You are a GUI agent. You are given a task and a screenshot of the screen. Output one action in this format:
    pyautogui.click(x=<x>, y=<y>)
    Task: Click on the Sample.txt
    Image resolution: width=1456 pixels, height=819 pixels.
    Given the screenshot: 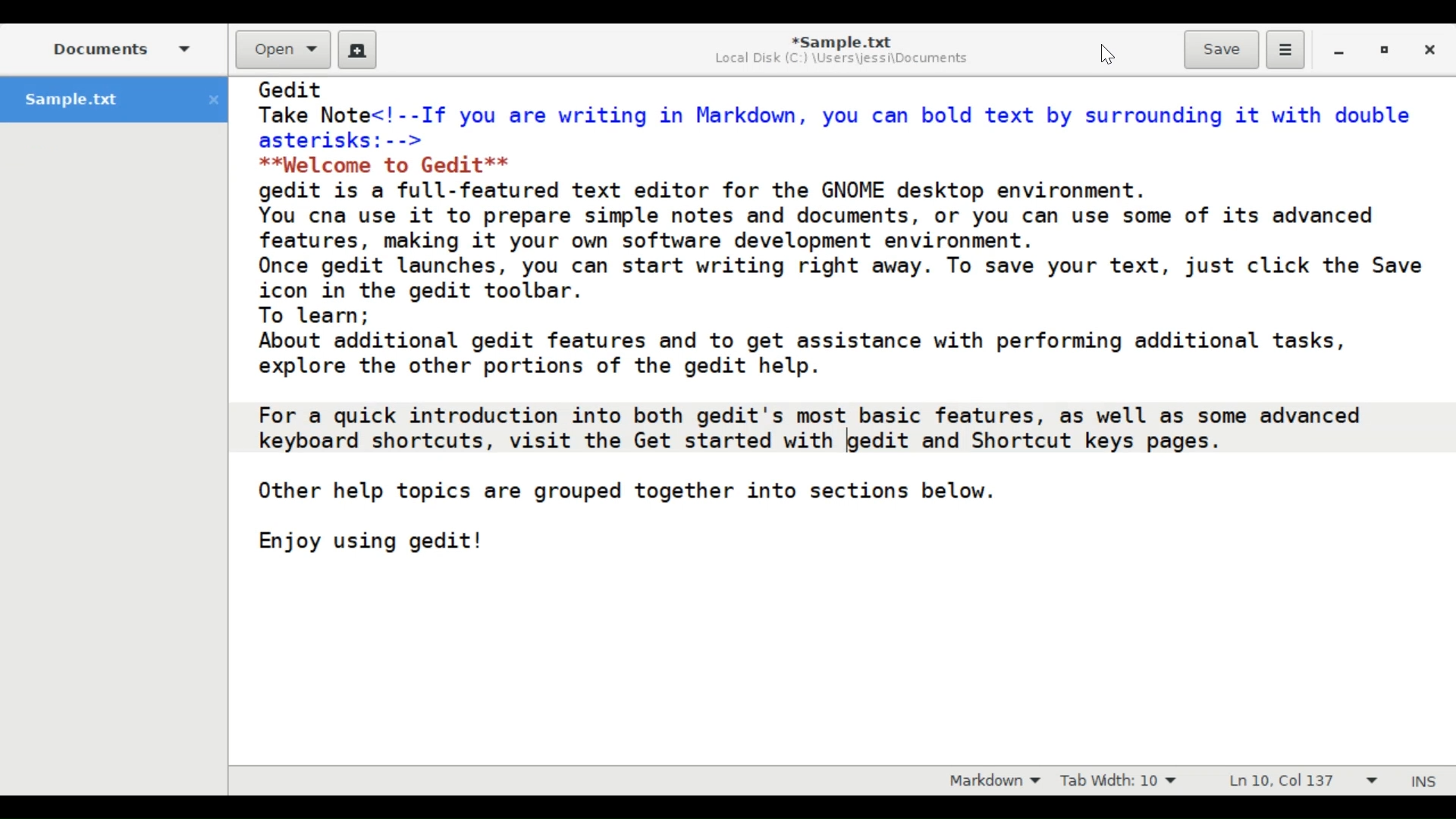 What is the action you would take?
    pyautogui.click(x=100, y=99)
    